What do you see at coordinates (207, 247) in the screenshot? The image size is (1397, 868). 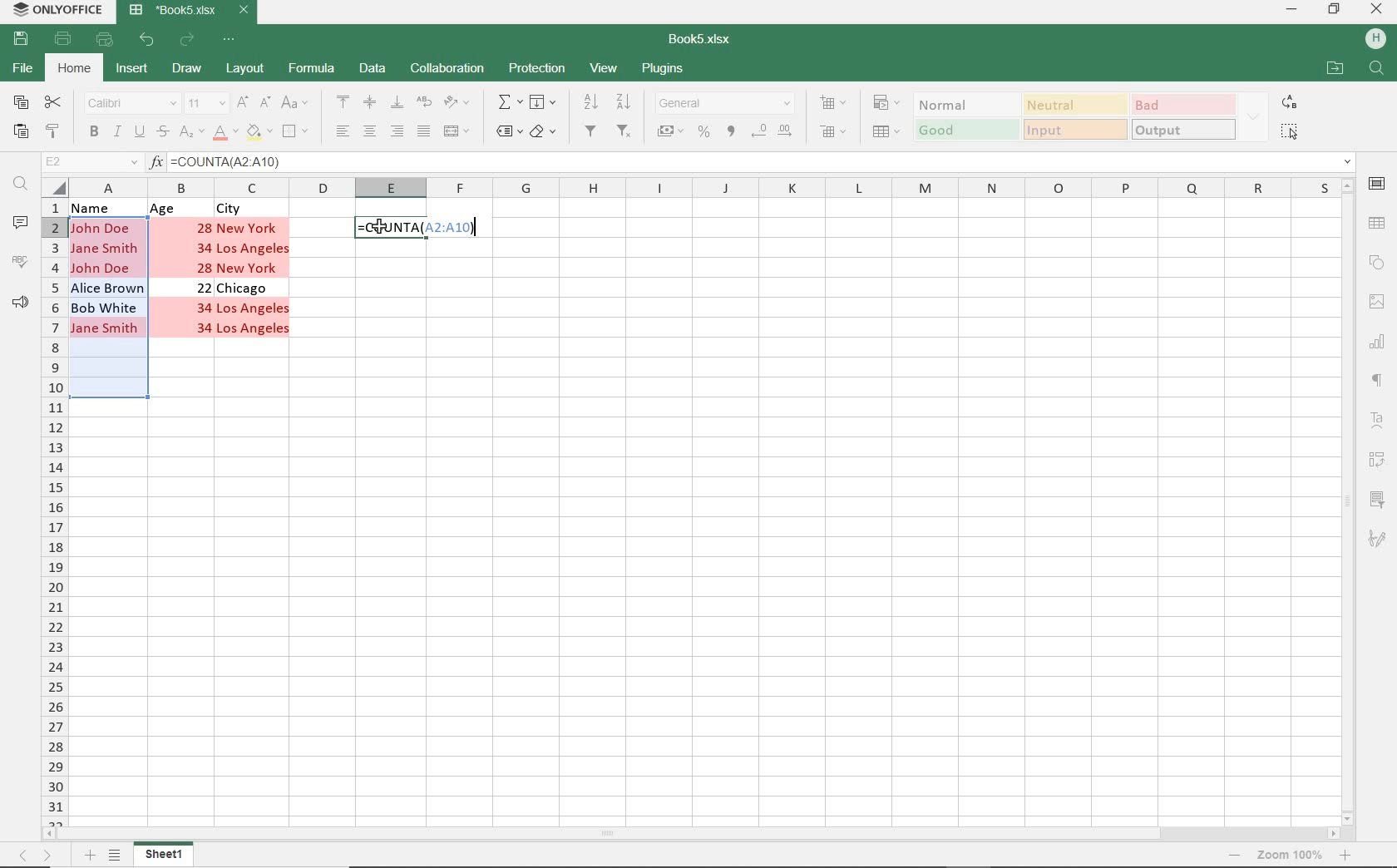 I see `34` at bounding box center [207, 247].